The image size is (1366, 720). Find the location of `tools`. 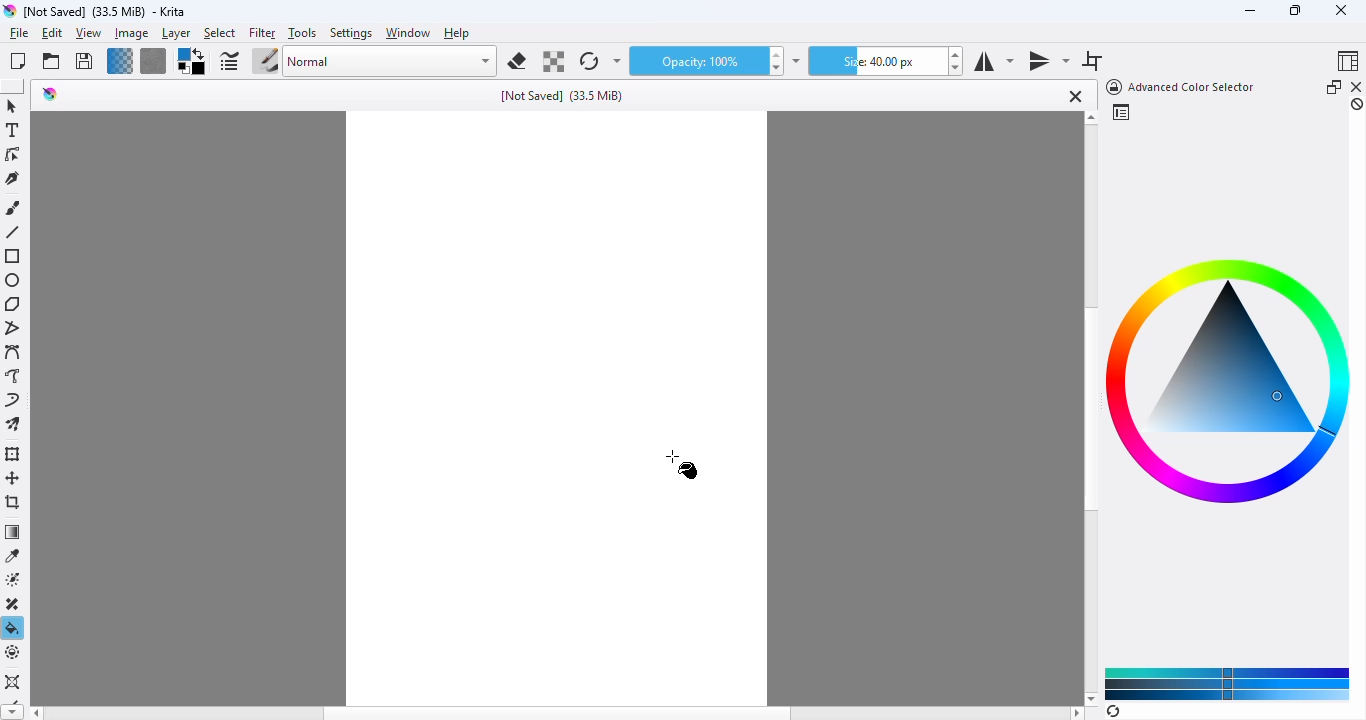

tools is located at coordinates (302, 33).